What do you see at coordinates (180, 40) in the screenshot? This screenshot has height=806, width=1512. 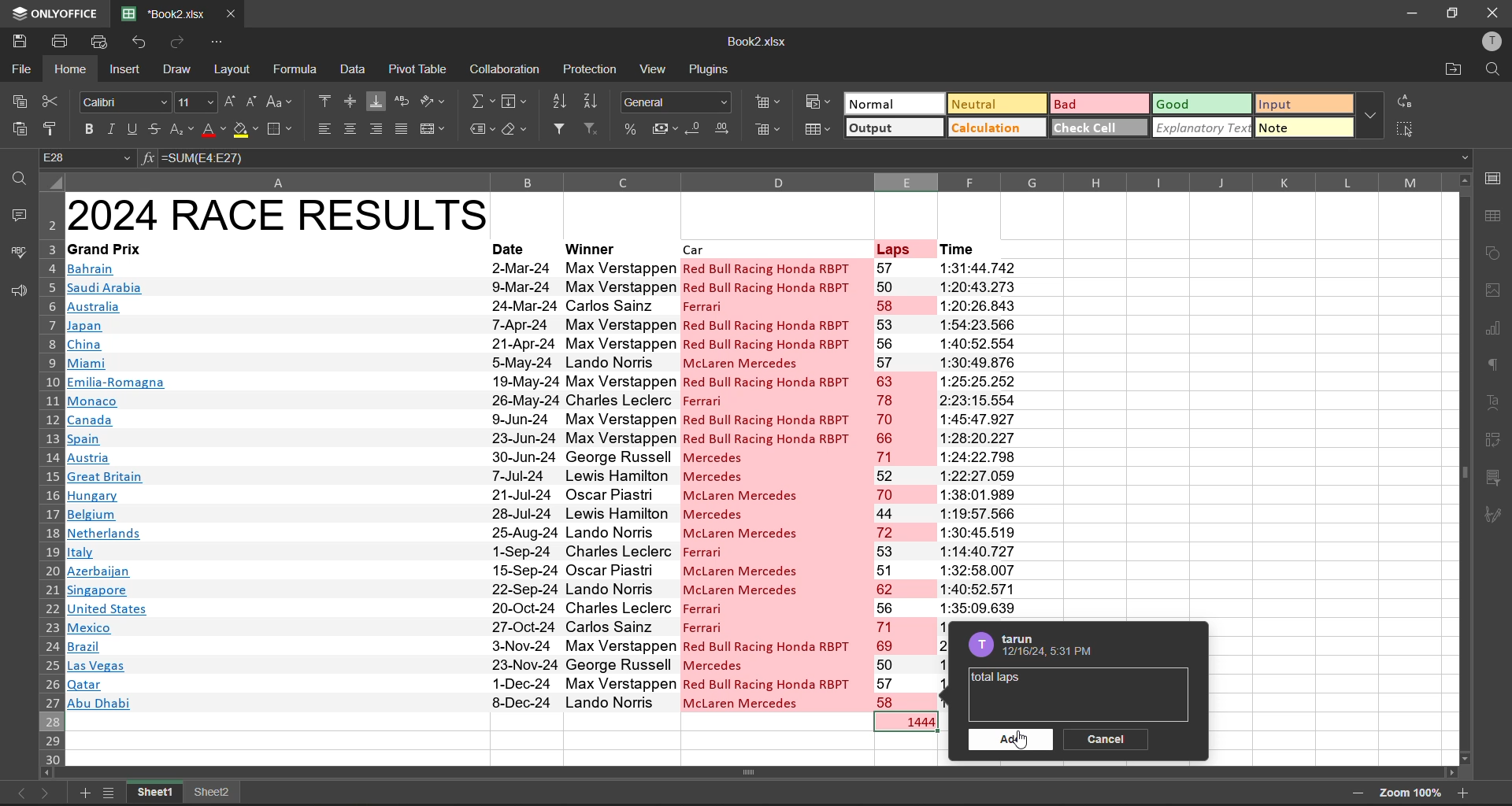 I see `redo` at bounding box center [180, 40].